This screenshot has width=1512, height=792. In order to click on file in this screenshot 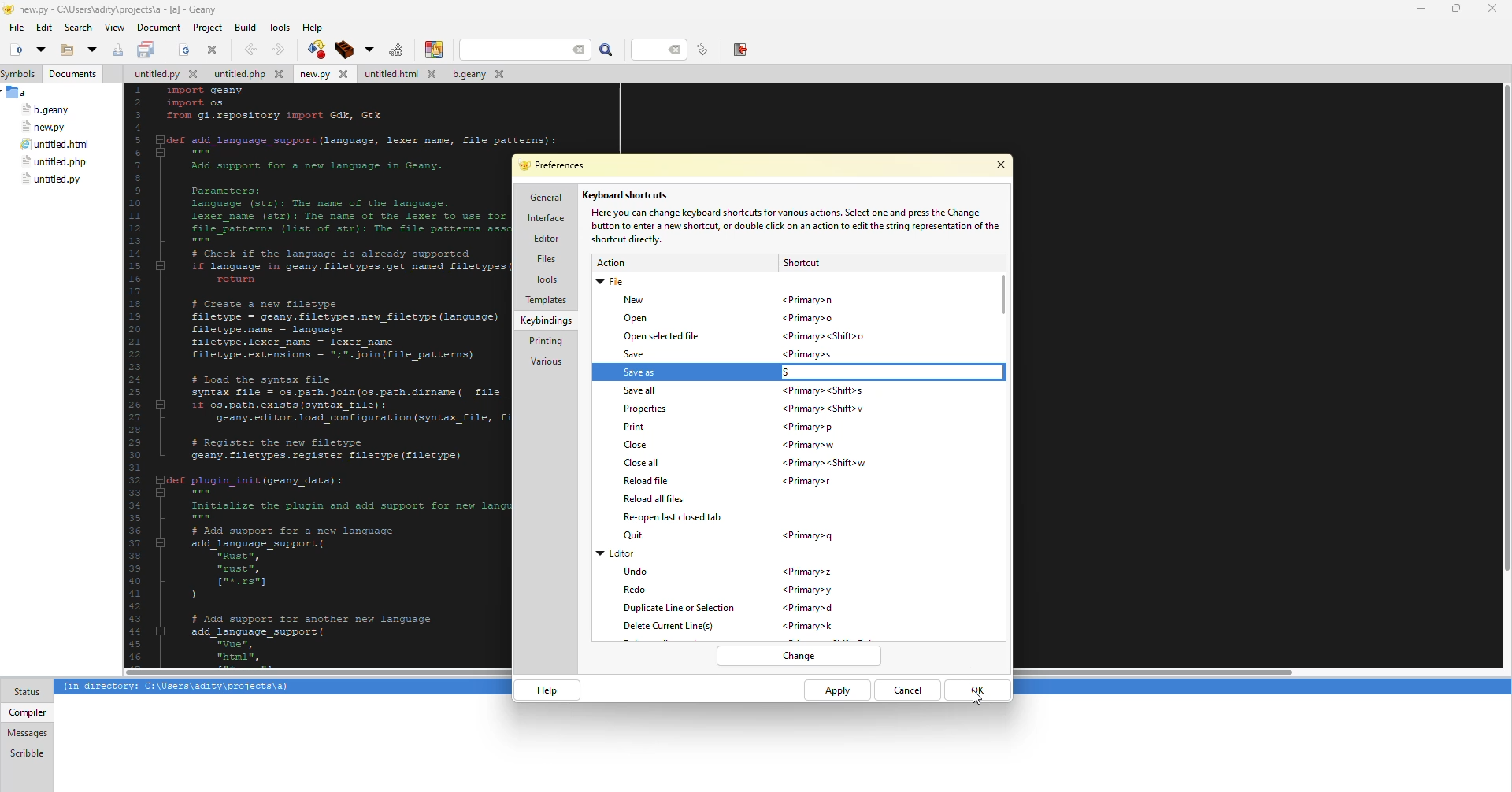, I will do `click(611, 283)`.